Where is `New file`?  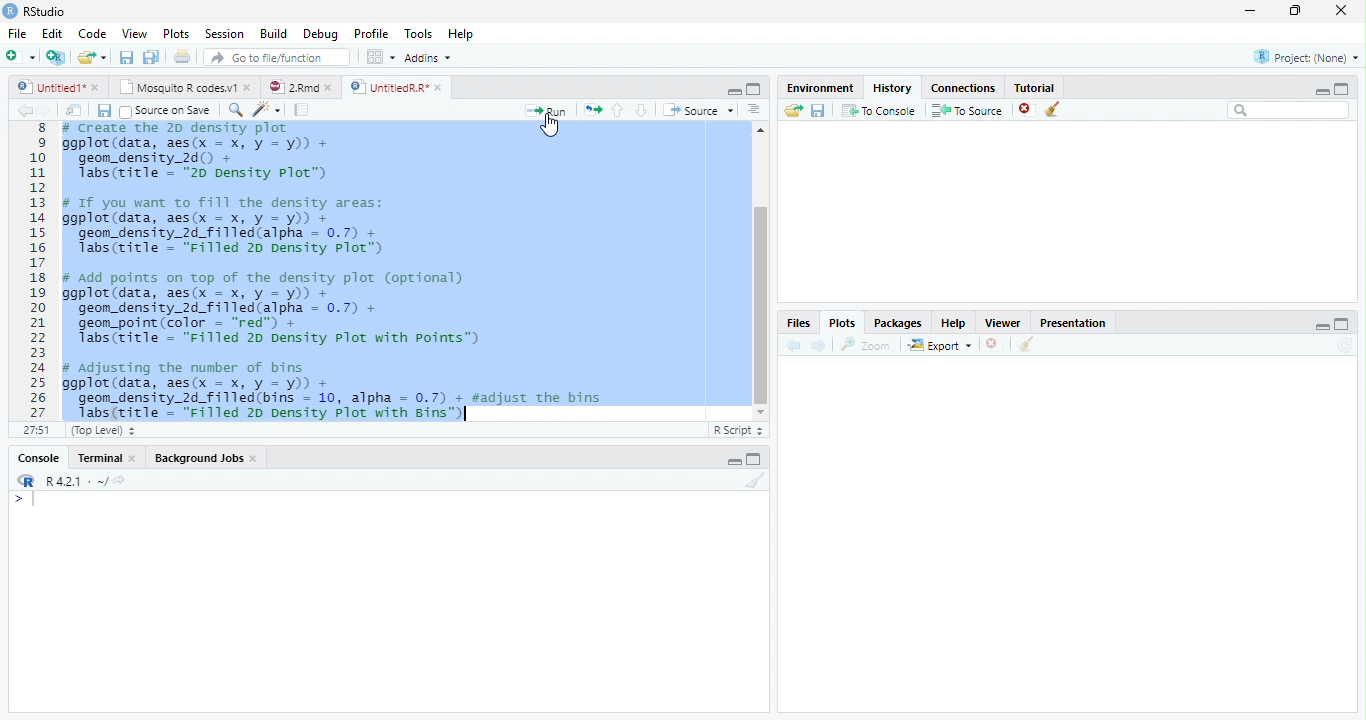
New file is located at coordinates (20, 57).